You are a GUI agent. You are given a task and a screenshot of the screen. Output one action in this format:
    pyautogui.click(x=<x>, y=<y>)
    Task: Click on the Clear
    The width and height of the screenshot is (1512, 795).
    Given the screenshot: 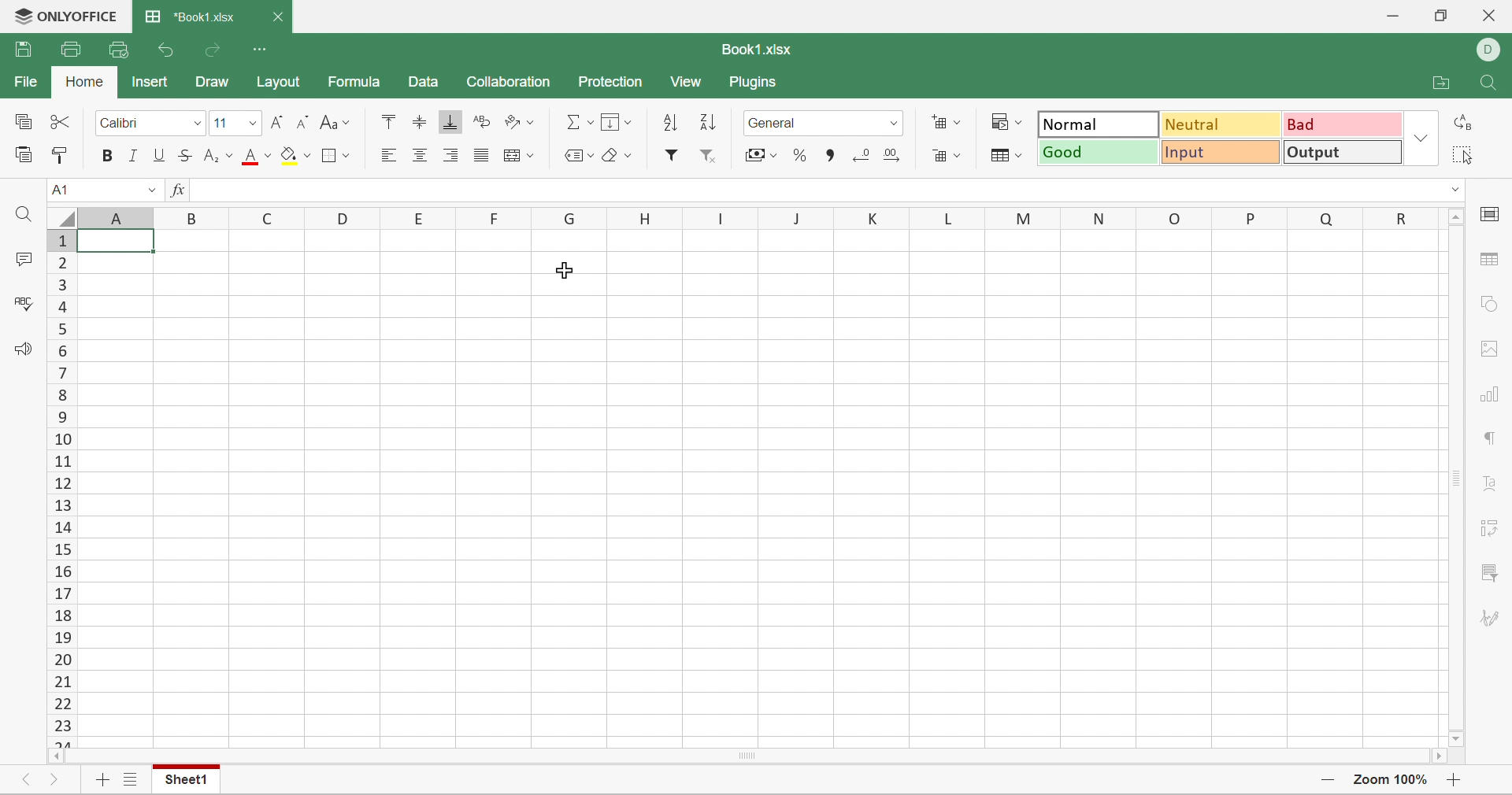 What is the action you would take?
    pyautogui.click(x=615, y=156)
    